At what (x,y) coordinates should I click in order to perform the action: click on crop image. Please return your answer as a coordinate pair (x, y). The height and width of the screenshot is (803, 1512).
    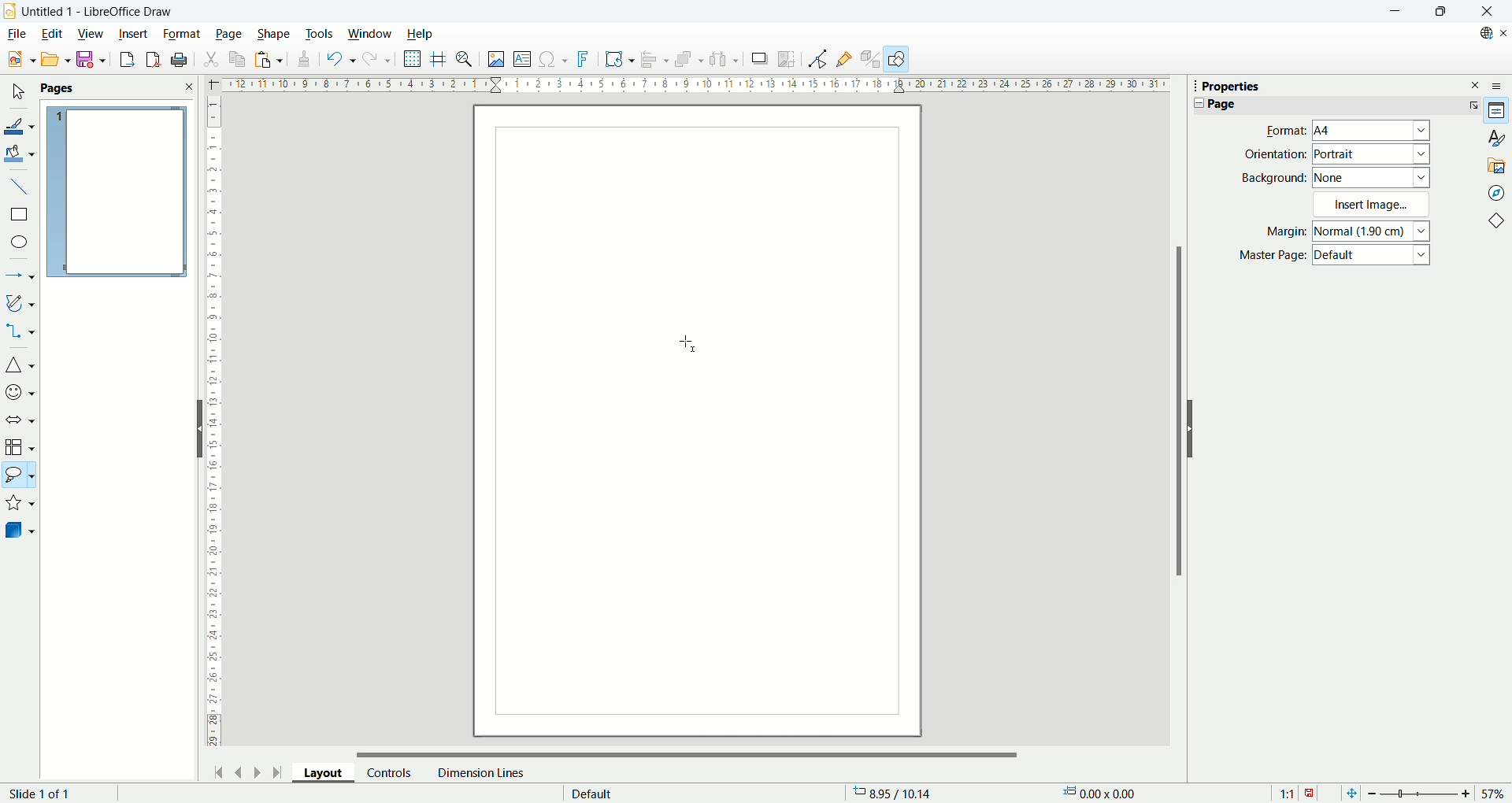
    Looking at the image, I should click on (787, 57).